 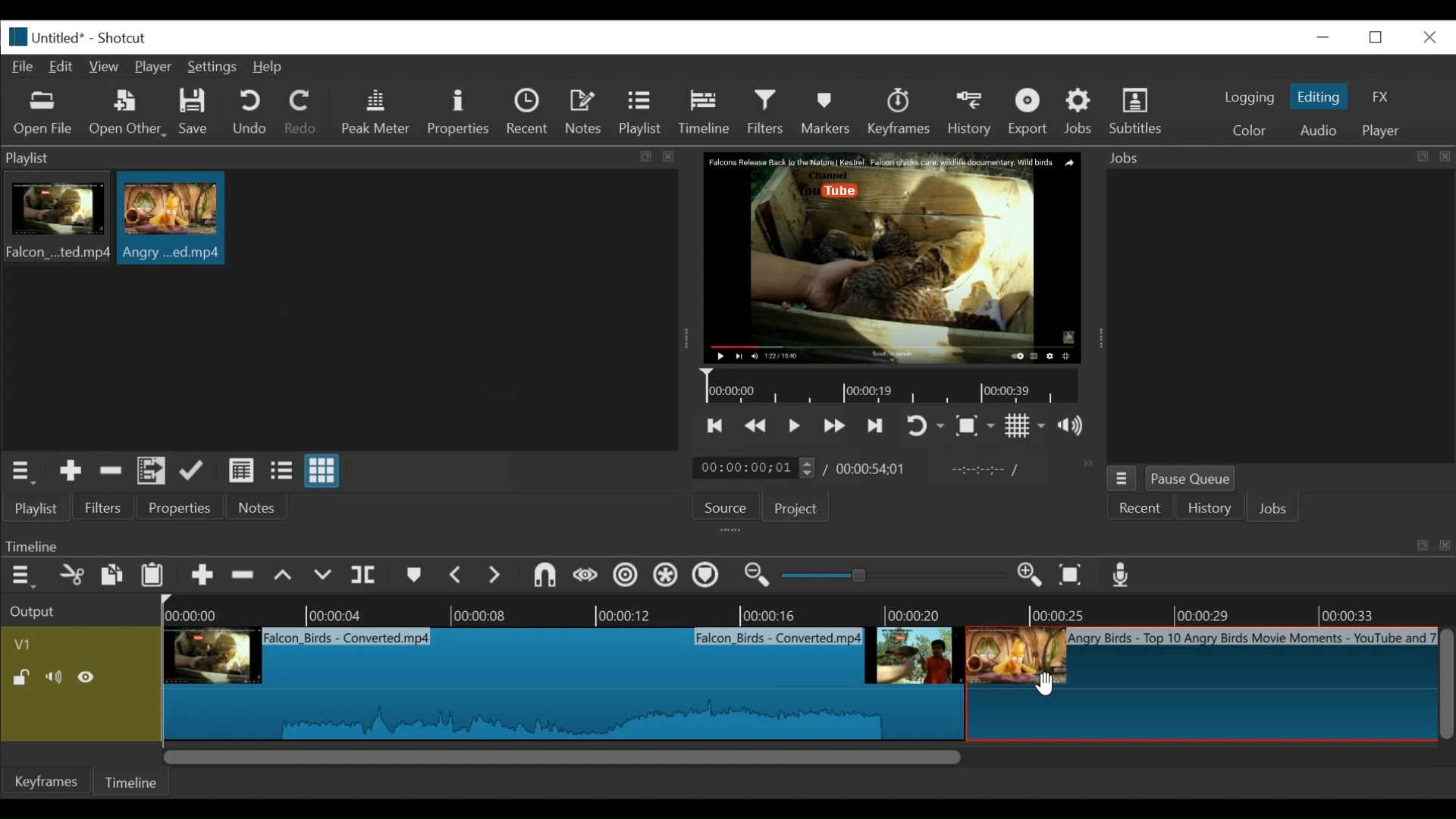 What do you see at coordinates (708, 109) in the screenshot?
I see `Timeline` at bounding box center [708, 109].